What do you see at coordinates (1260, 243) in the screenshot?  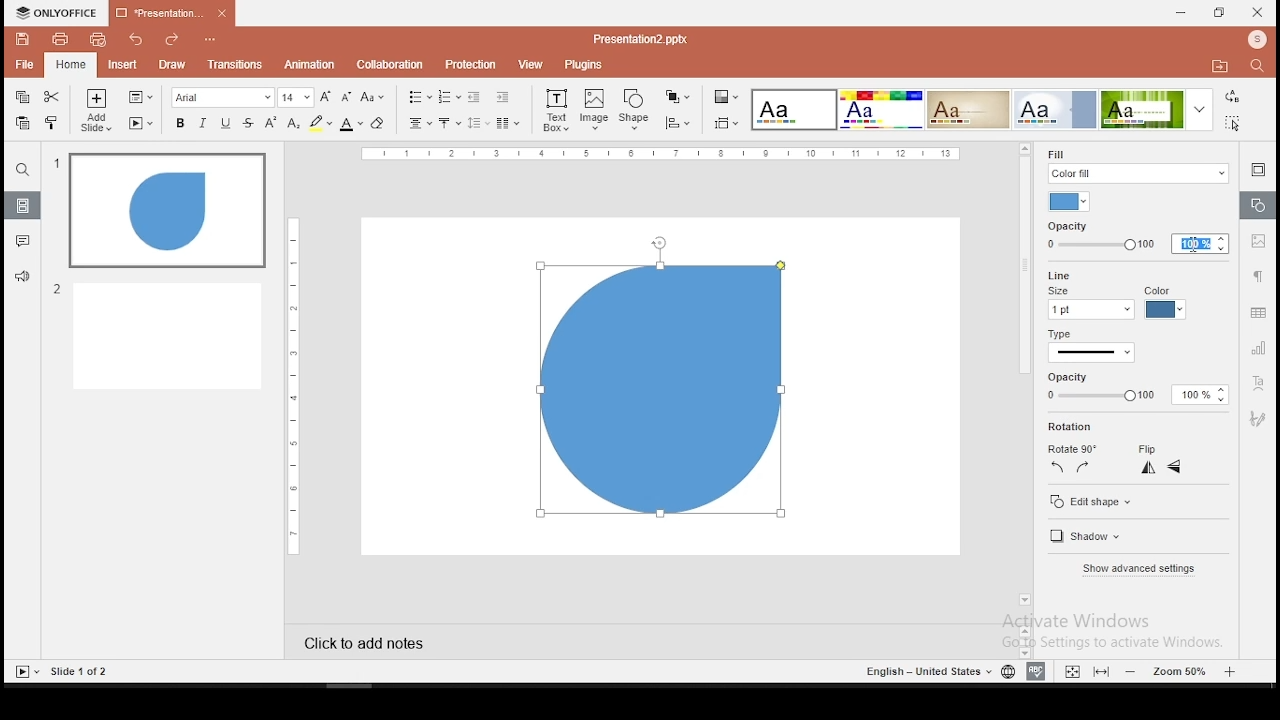 I see `image settings` at bounding box center [1260, 243].